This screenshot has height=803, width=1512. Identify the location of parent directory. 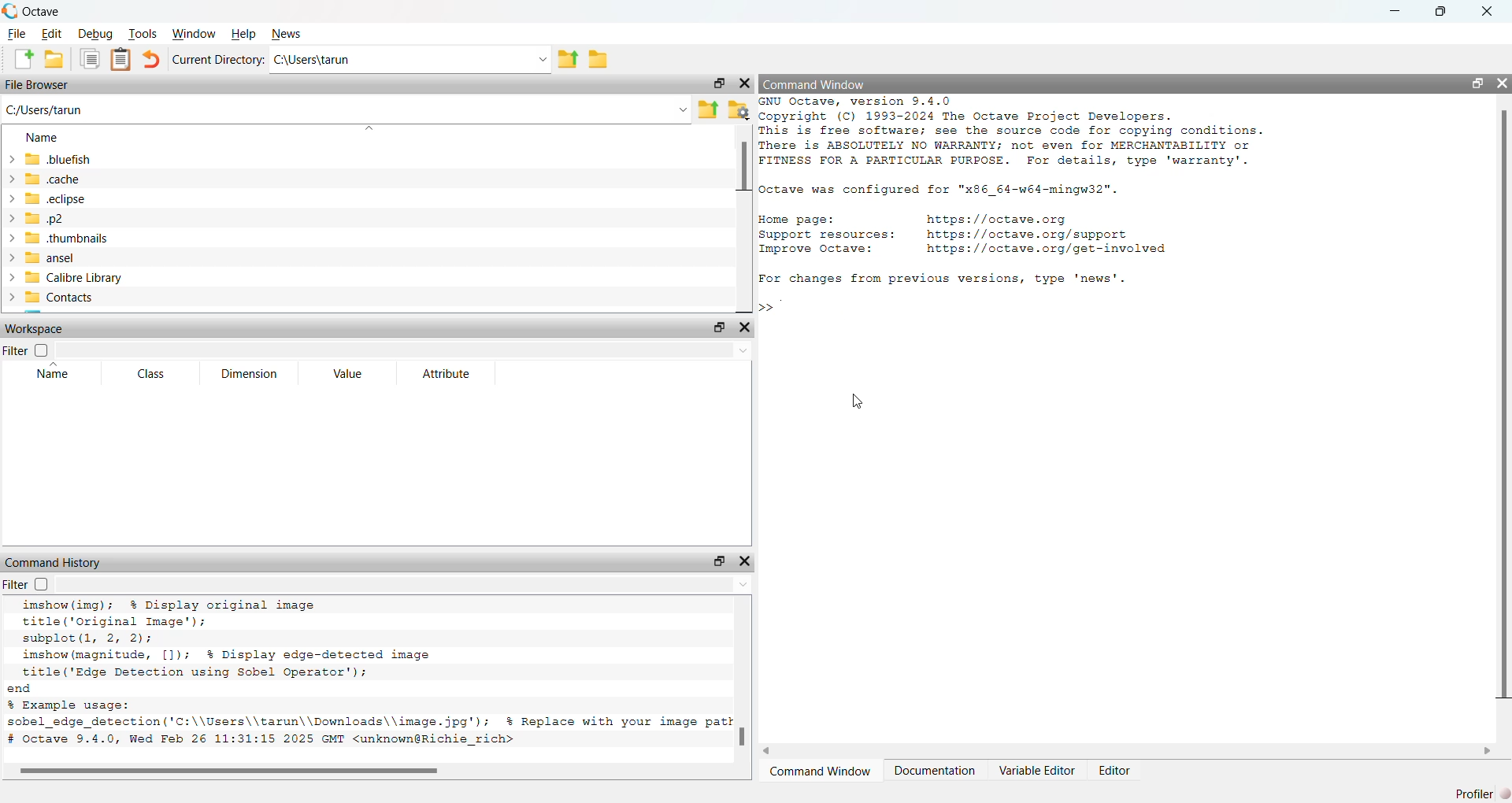
(708, 108).